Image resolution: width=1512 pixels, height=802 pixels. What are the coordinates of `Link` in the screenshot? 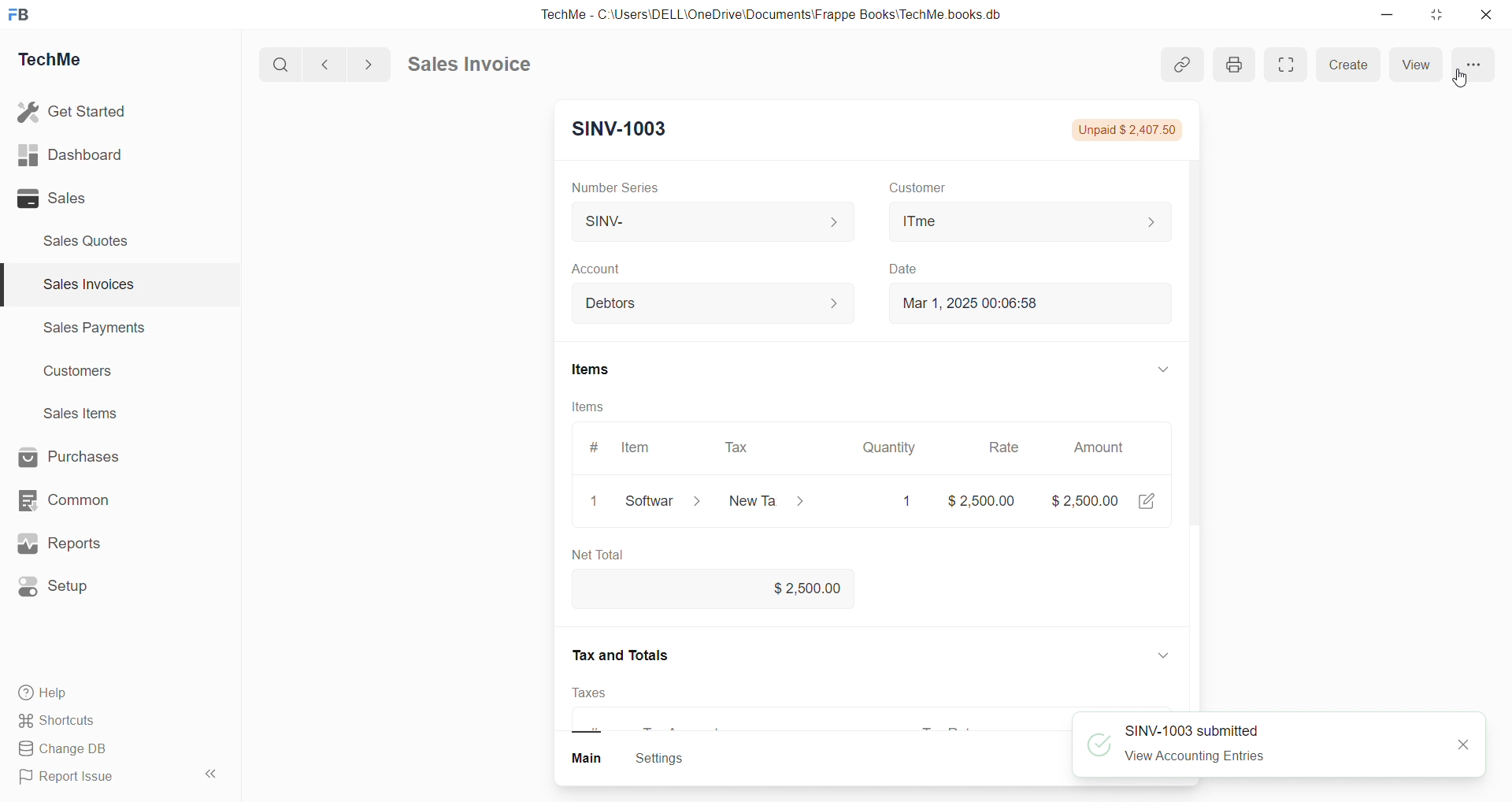 It's located at (1182, 66).